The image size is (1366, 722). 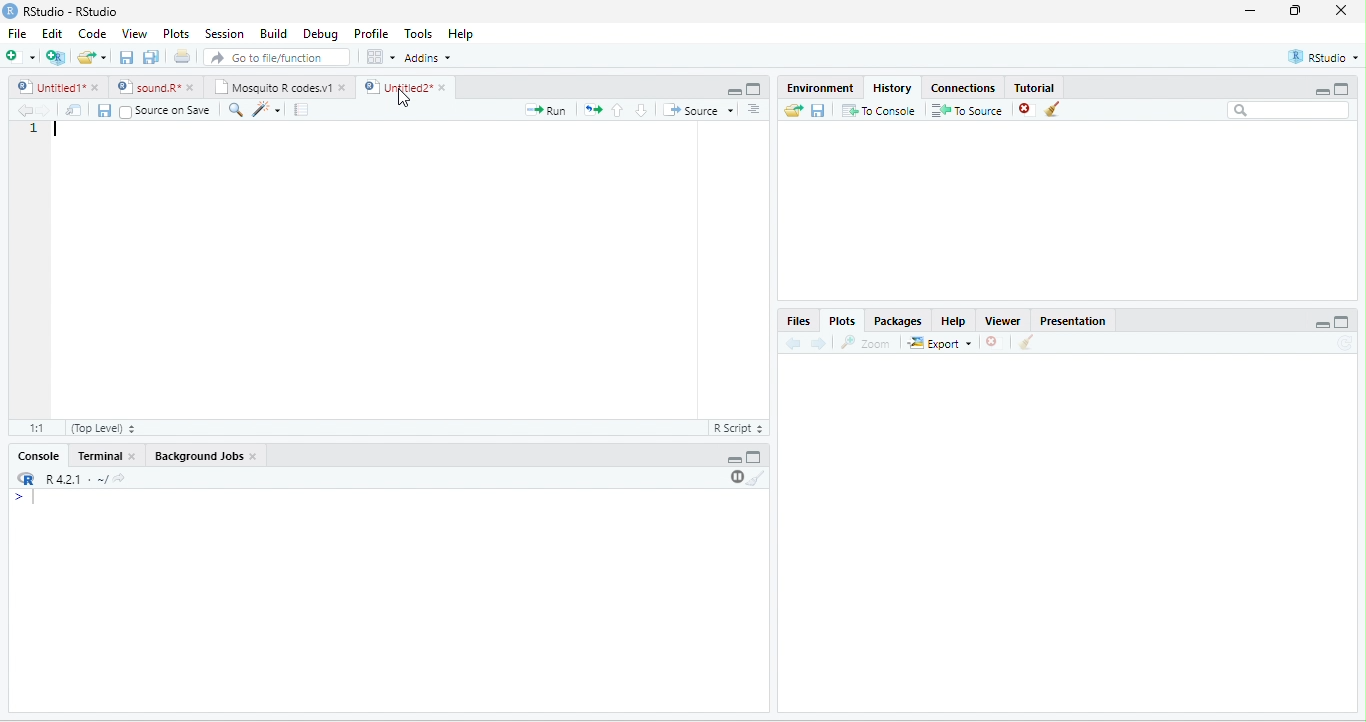 What do you see at coordinates (1296, 10) in the screenshot?
I see `resize` at bounding box center [1296, 10].